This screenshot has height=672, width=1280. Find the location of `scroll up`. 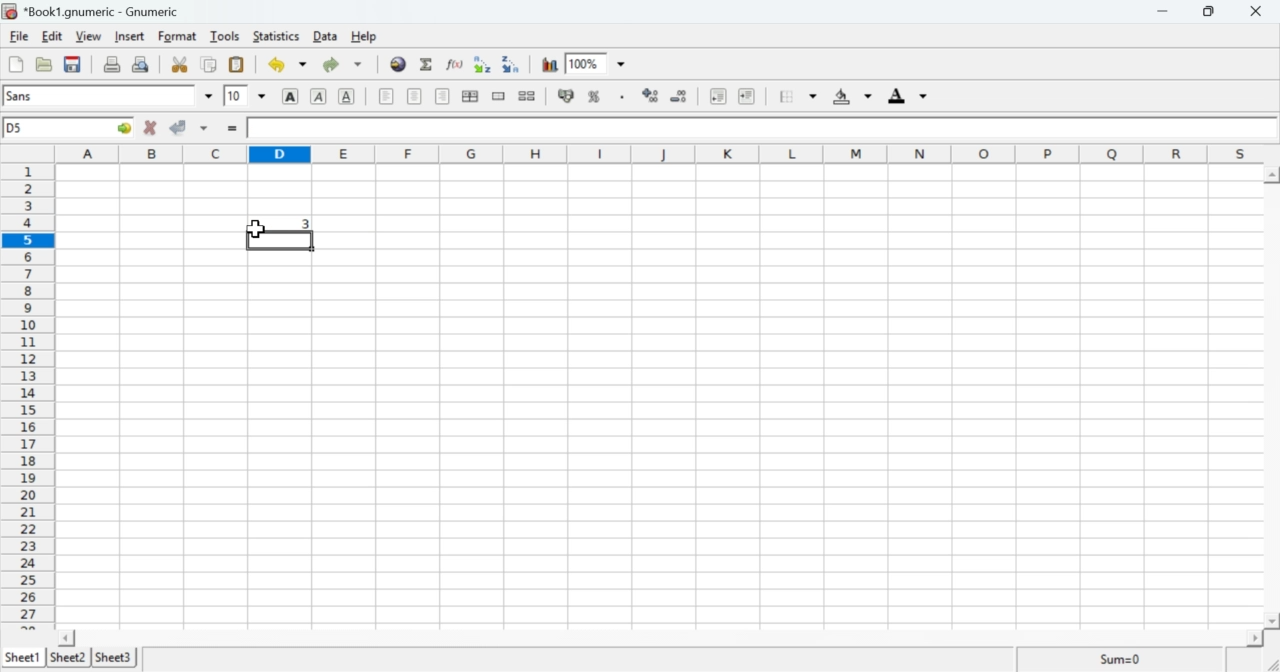

scroll up is located at coordinates (1272, 174).